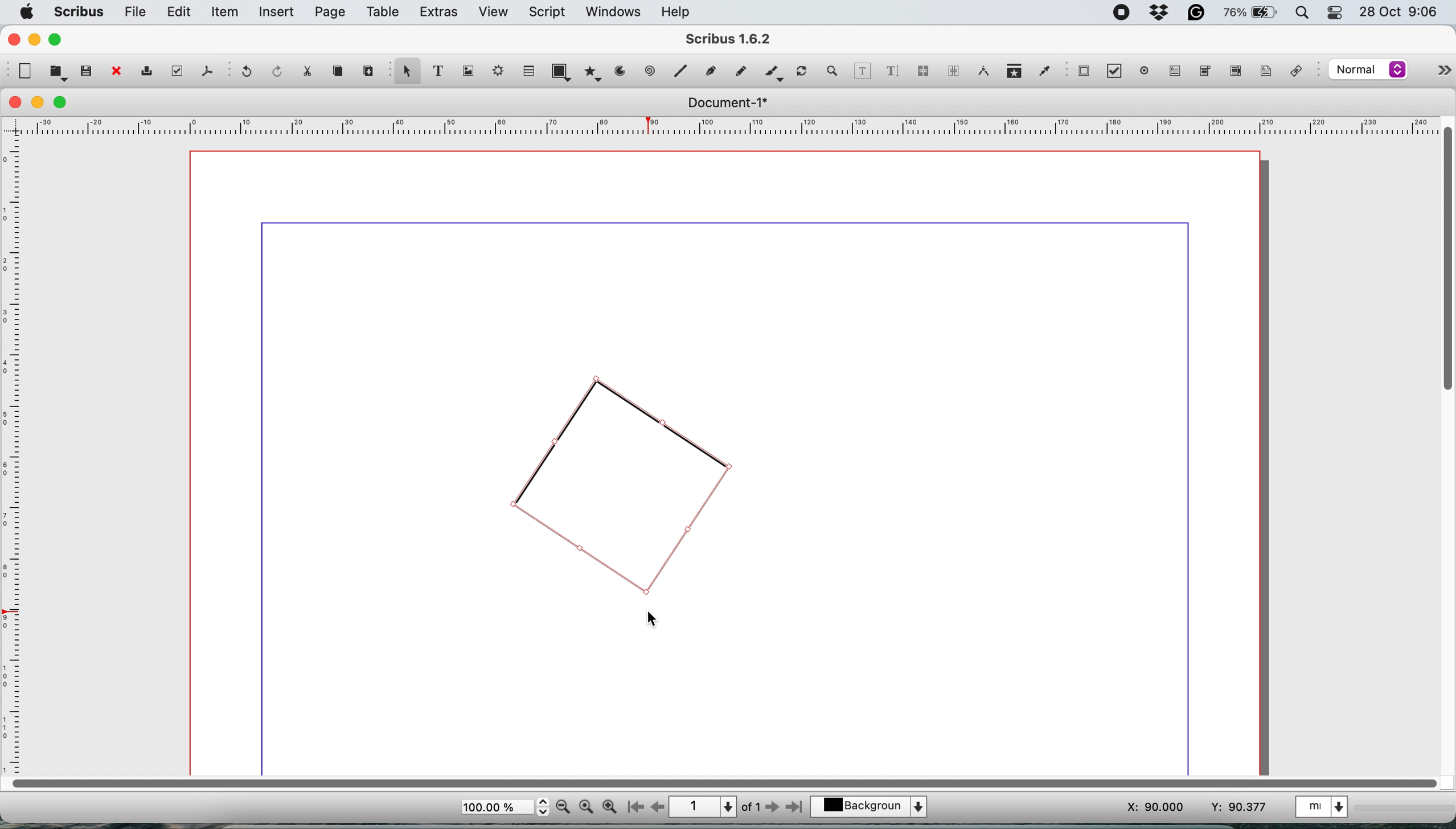 The image size is (1456, 829). What do you see at coordinates (1265, 72) in the screenshot?
I see `text annotation` at bounding box center [1265, 72].